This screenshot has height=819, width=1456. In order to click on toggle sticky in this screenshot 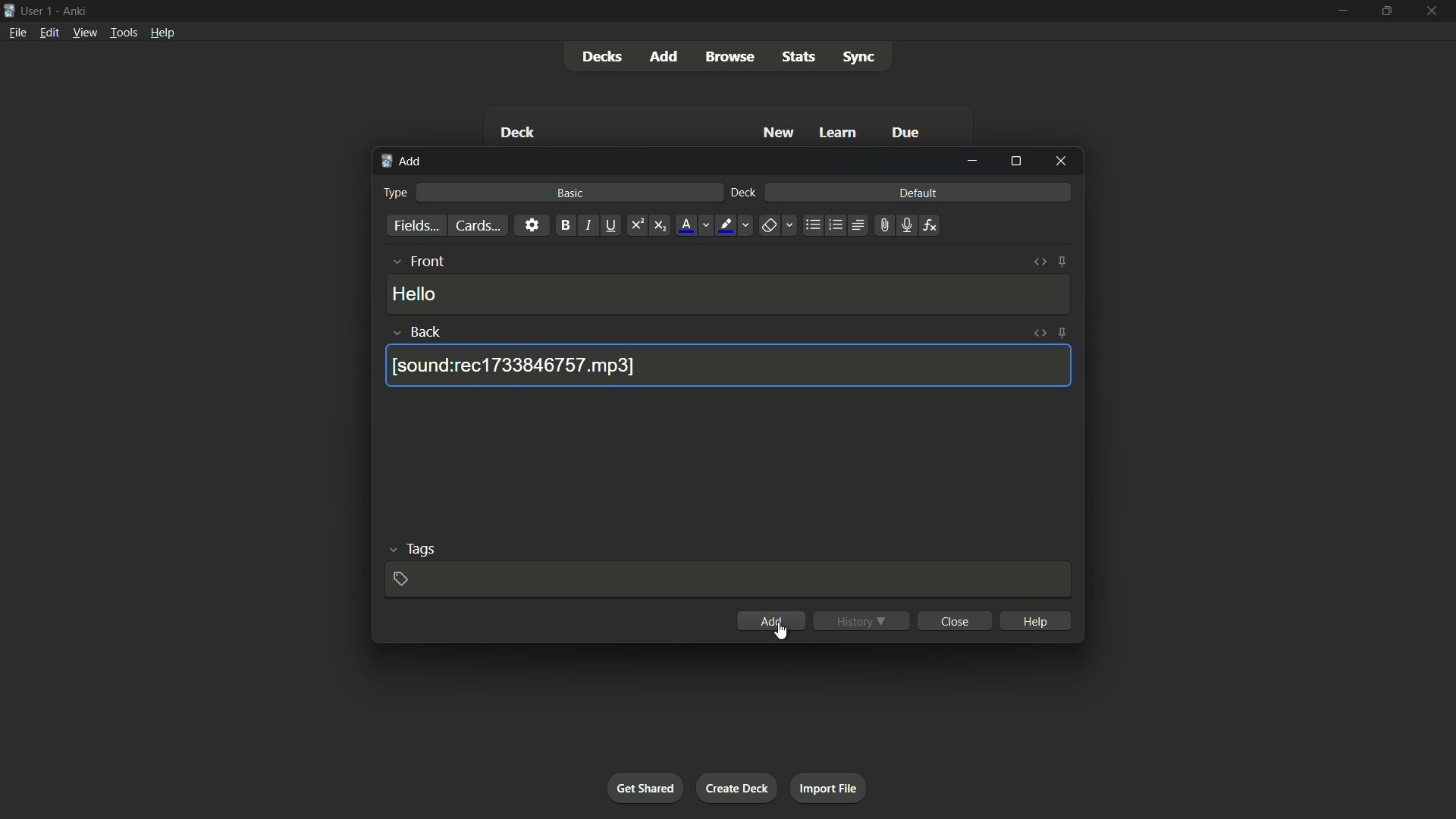, I will do `click(1061, 334)`.